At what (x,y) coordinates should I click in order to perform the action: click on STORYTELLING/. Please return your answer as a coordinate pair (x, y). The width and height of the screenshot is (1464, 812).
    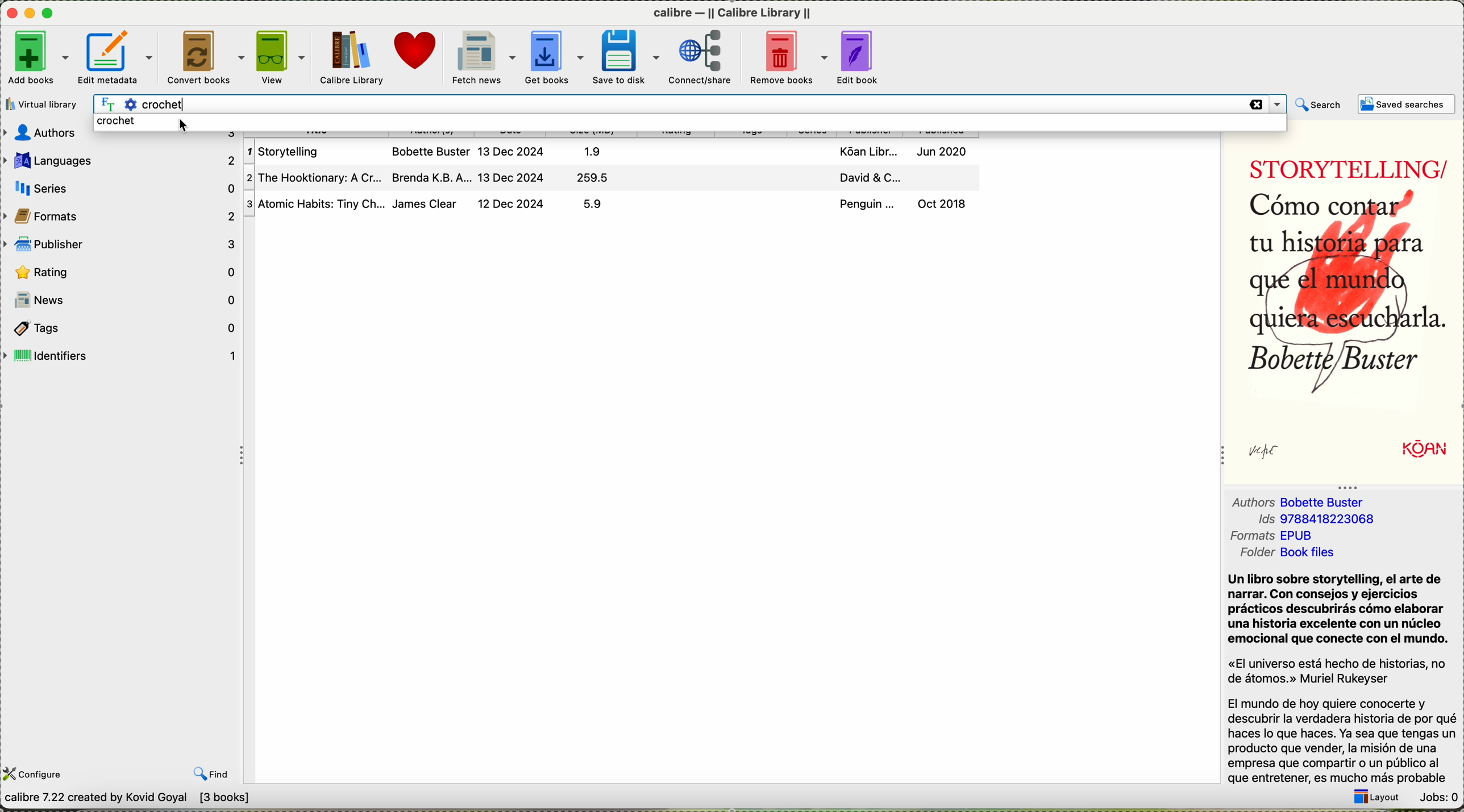
    Looking at the image, I should click on (1341, 163).